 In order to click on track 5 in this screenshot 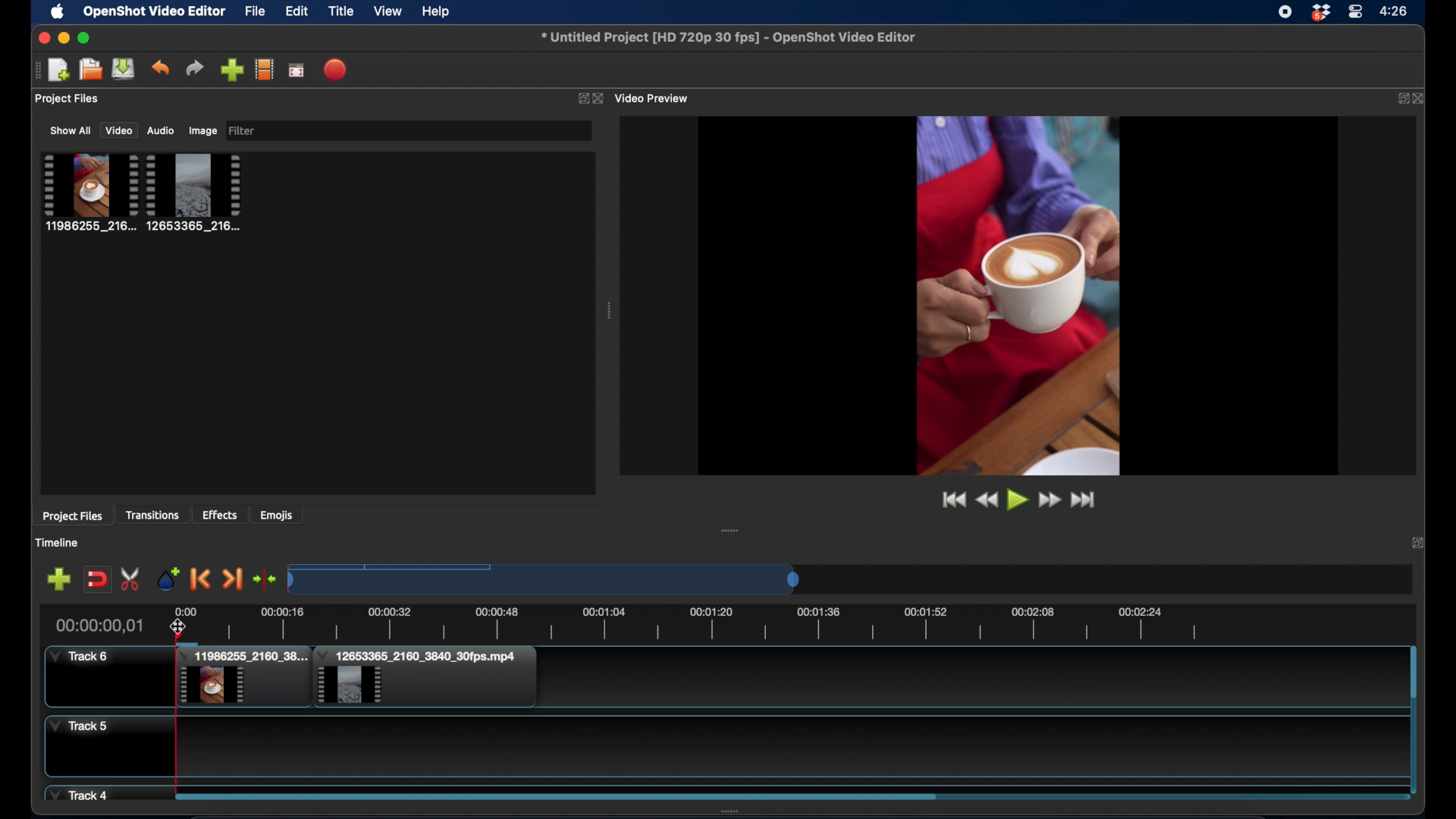, I will do `click(79, 726)`.